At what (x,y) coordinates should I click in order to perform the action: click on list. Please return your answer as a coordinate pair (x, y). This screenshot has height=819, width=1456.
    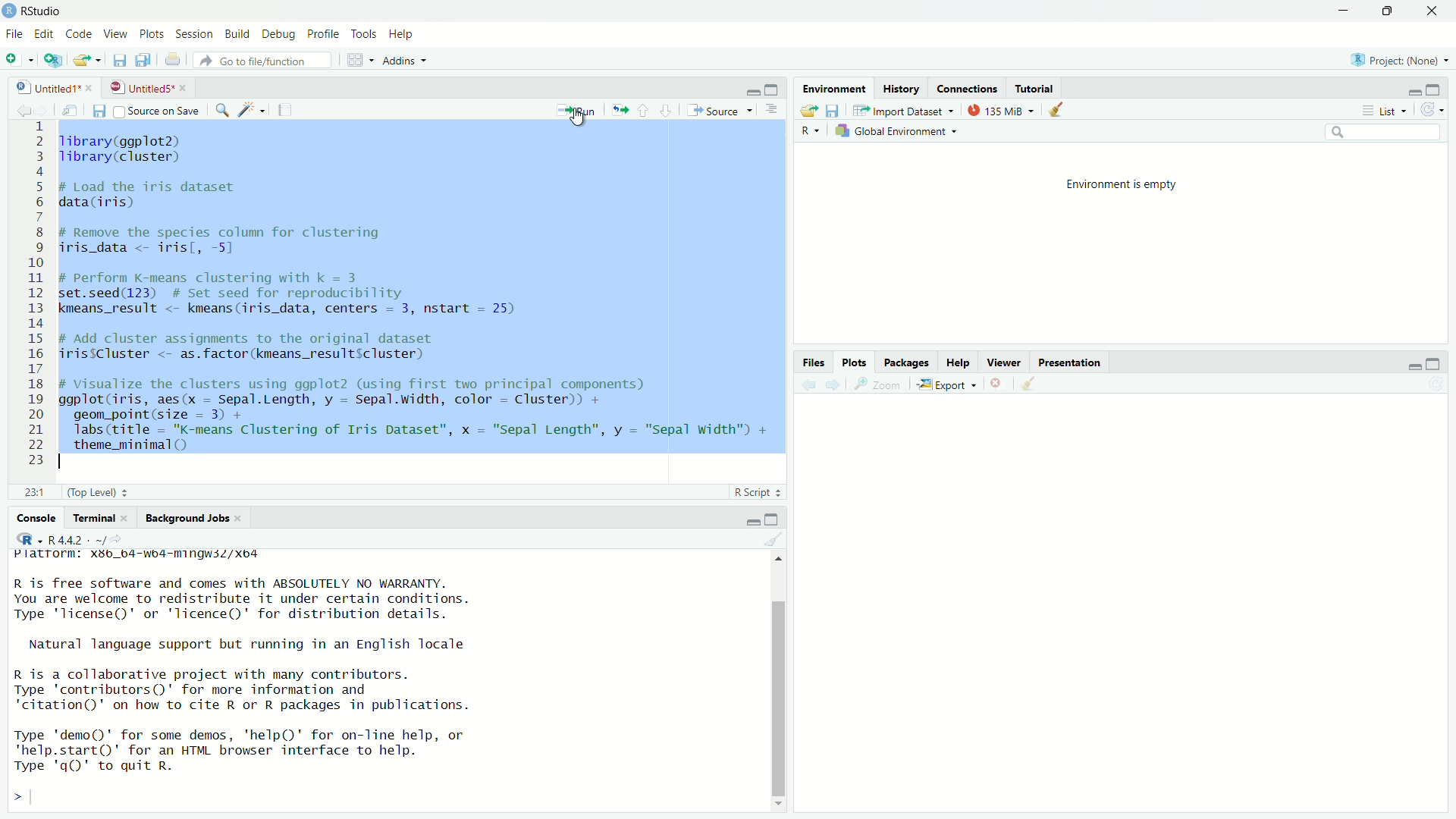
    Looking at the image, I should click on (1382, 111).